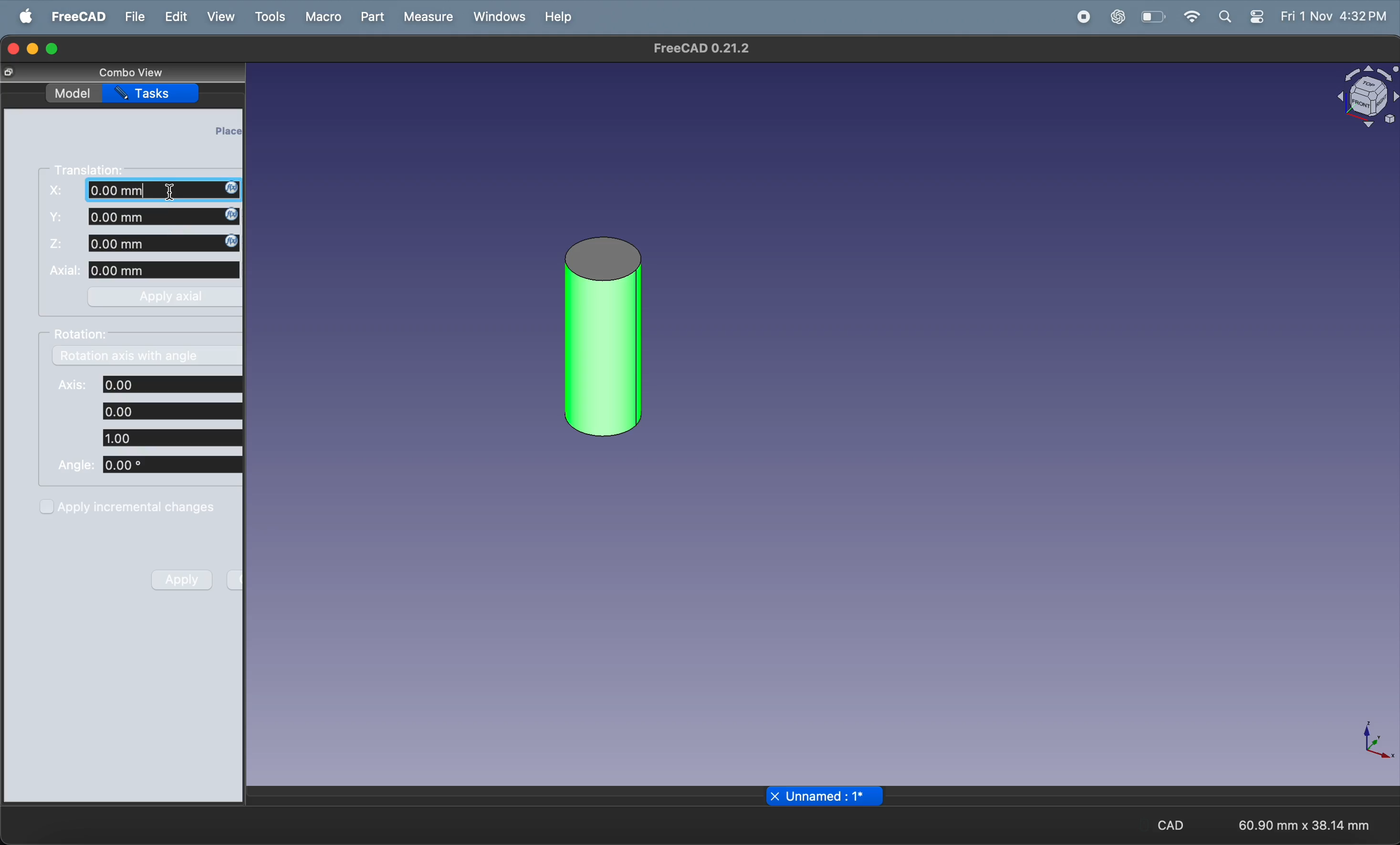  What do you see at coordinates (13, 48) in the screenshot?
I see `closing window` at bounding box center [13, 48].